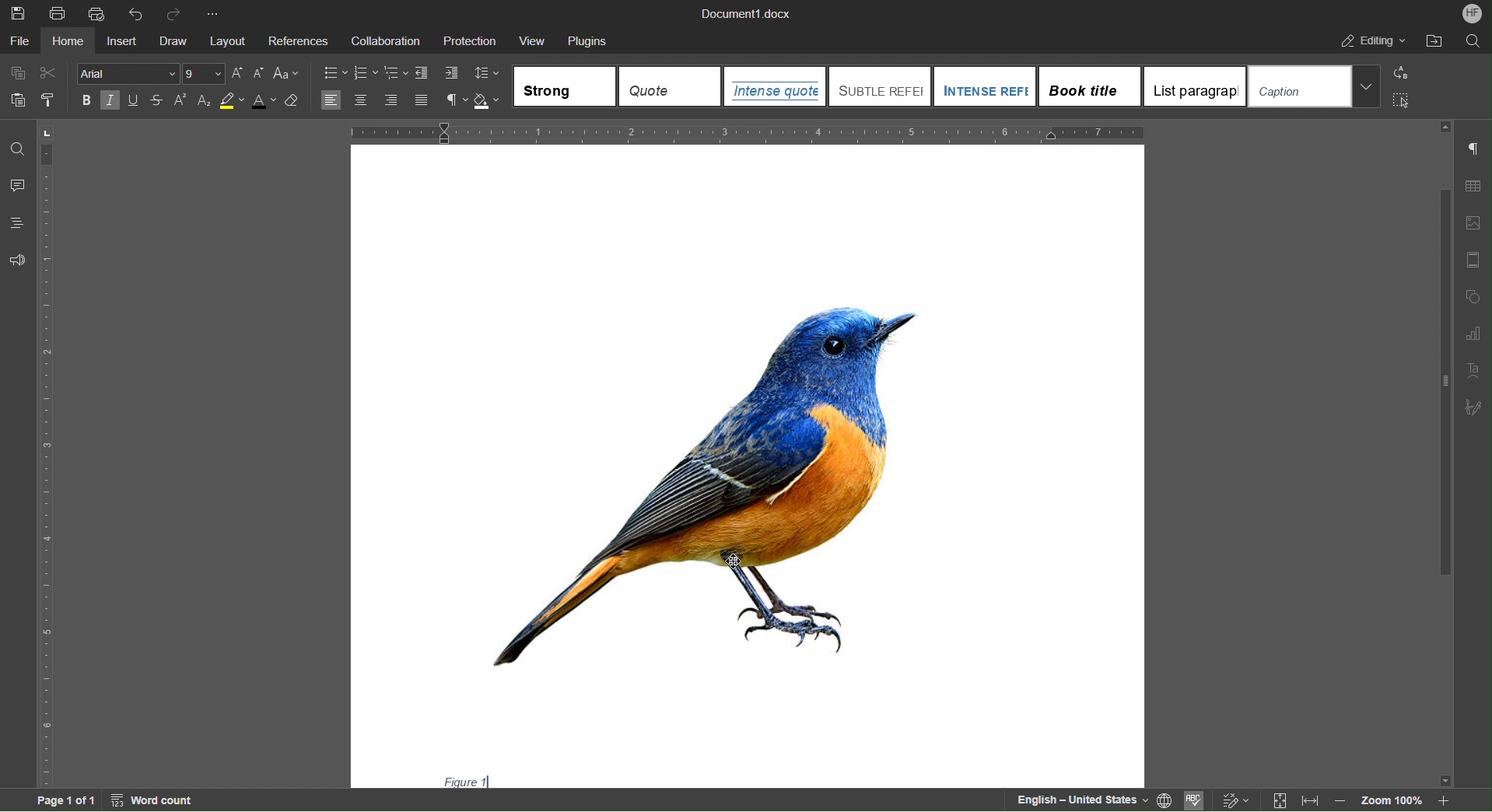 Image resolution: width=1492 pixels, height=812 pixels. I want to click on Align Left, so click(334, 100).